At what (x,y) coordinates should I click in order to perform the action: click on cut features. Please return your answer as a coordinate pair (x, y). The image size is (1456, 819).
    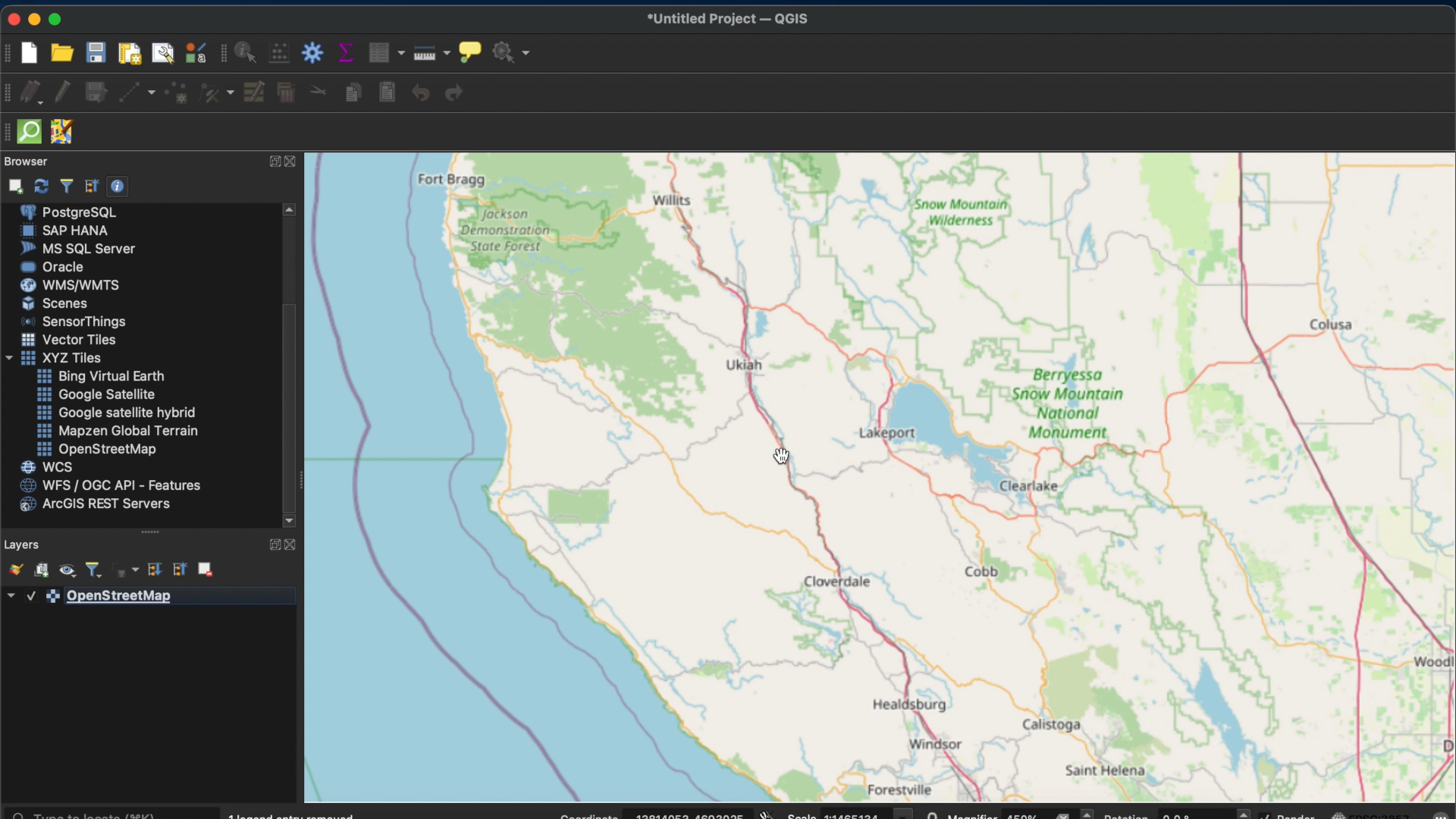
    Looking at the image, I should click on (320, 93).